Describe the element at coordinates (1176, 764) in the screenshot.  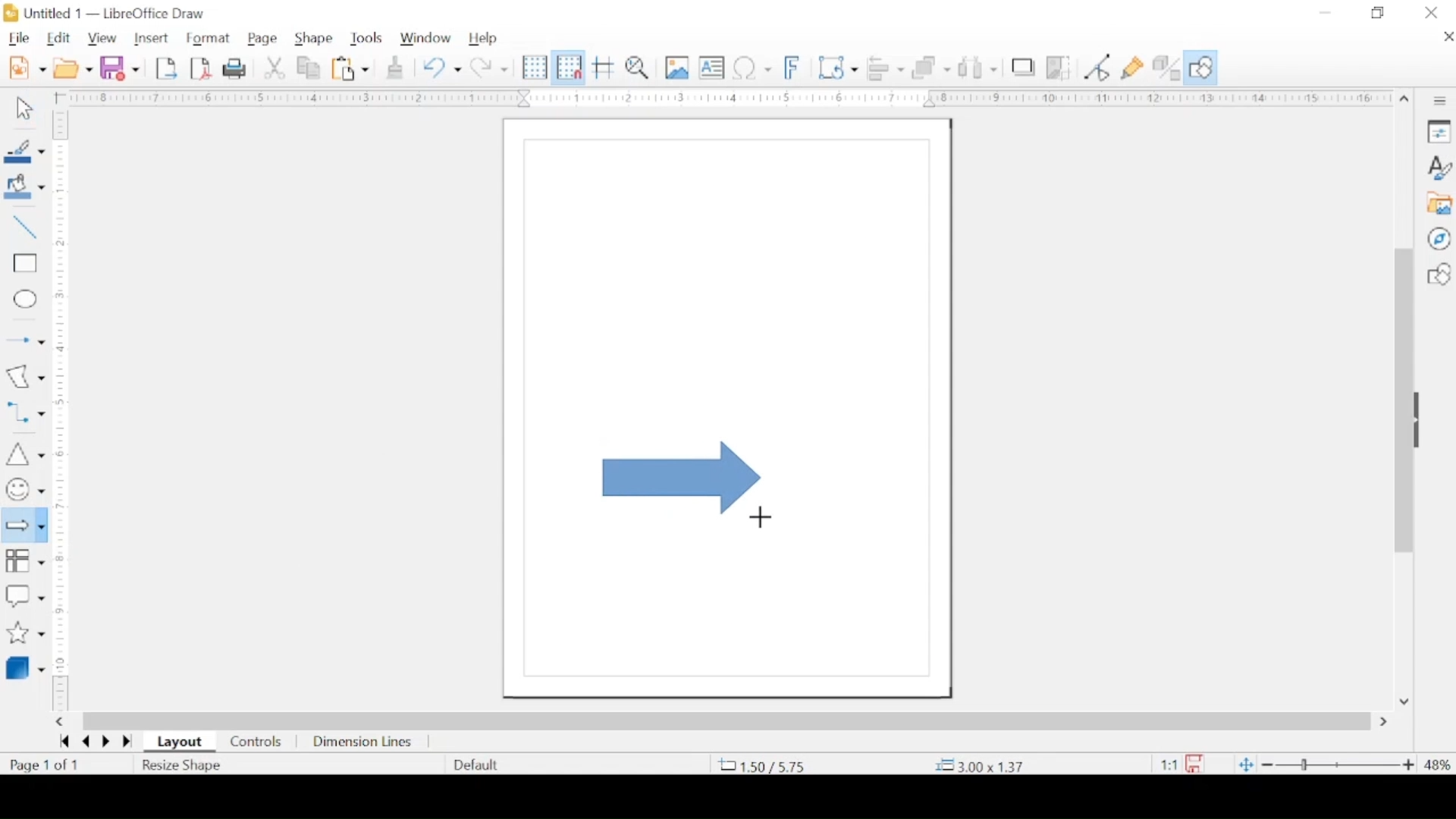
I see `this document has been modified` at that location.